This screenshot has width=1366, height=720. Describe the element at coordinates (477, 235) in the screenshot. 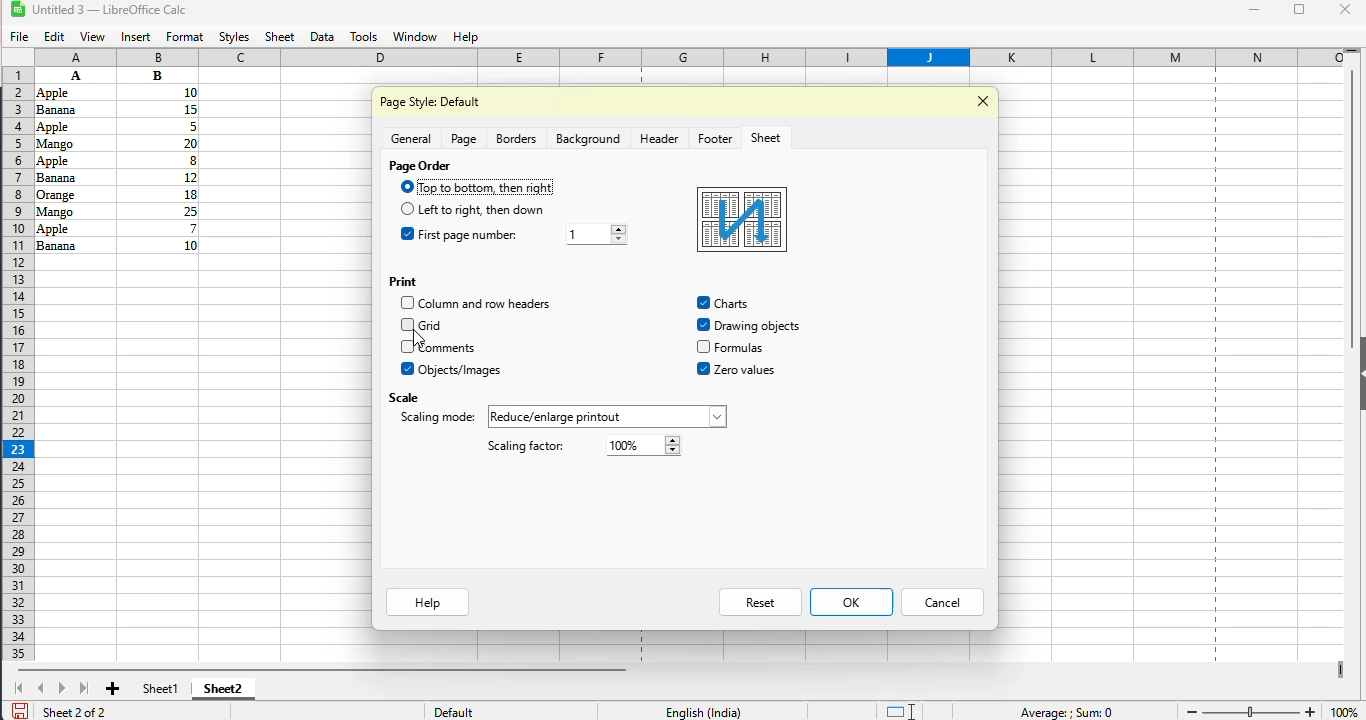

I see `first page number: 1` at that location.